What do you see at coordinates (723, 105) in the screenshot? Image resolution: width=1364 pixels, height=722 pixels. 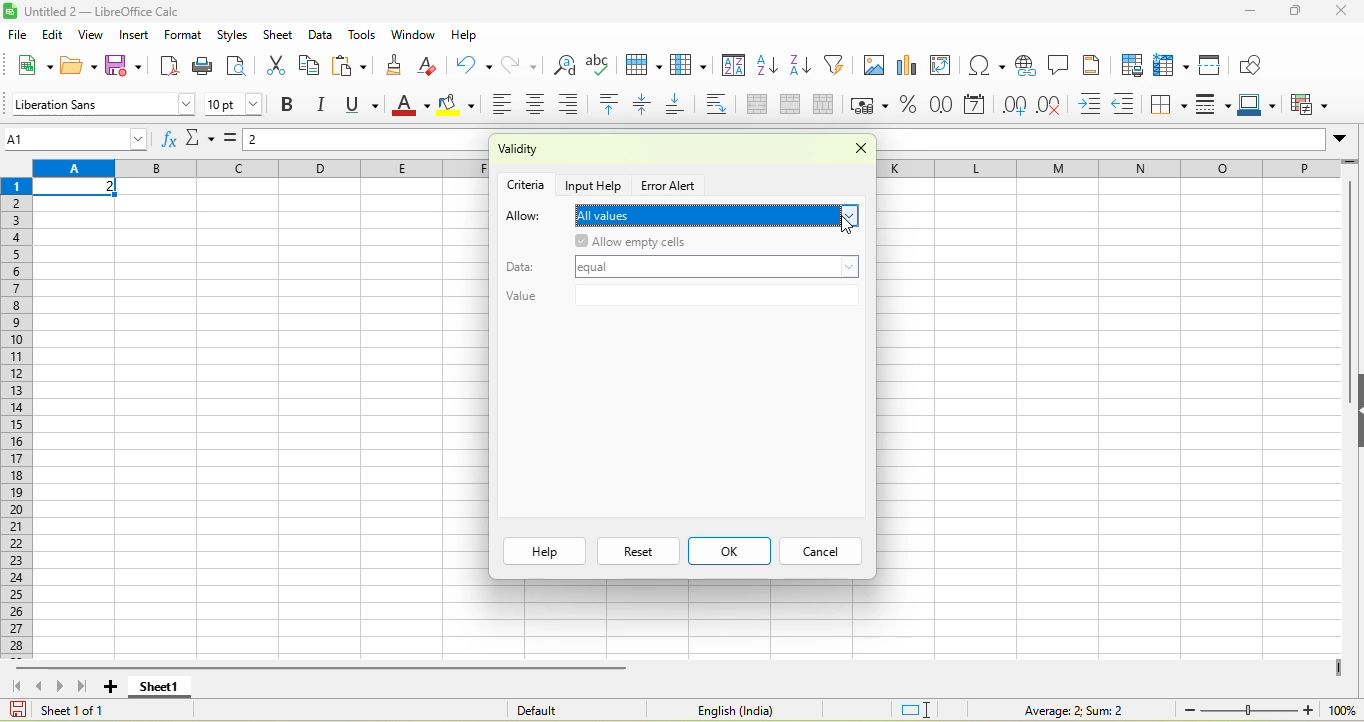 I see `wrap` at bounding box center [723, 105].